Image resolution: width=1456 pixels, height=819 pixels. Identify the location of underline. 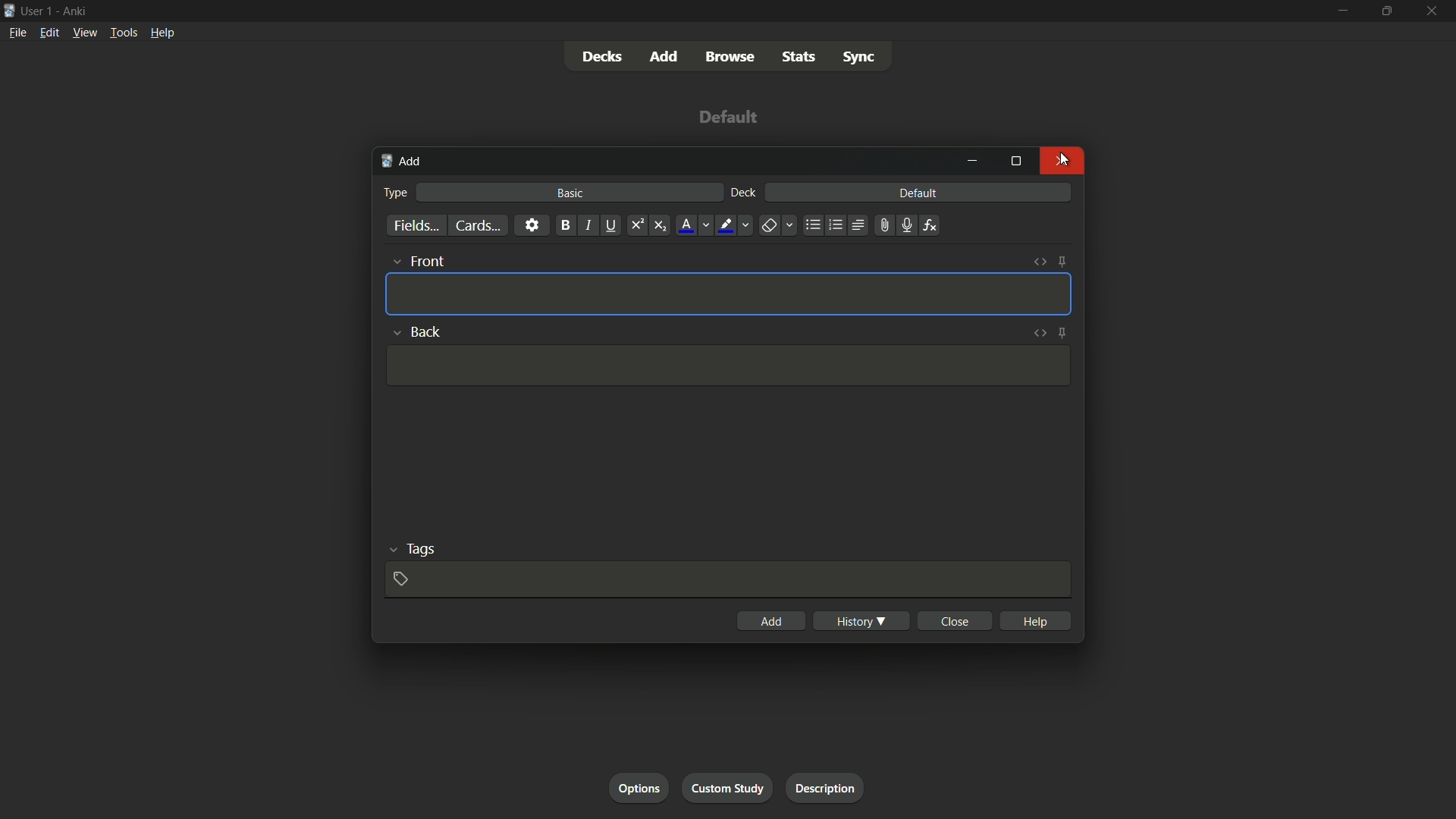
(610, 224).